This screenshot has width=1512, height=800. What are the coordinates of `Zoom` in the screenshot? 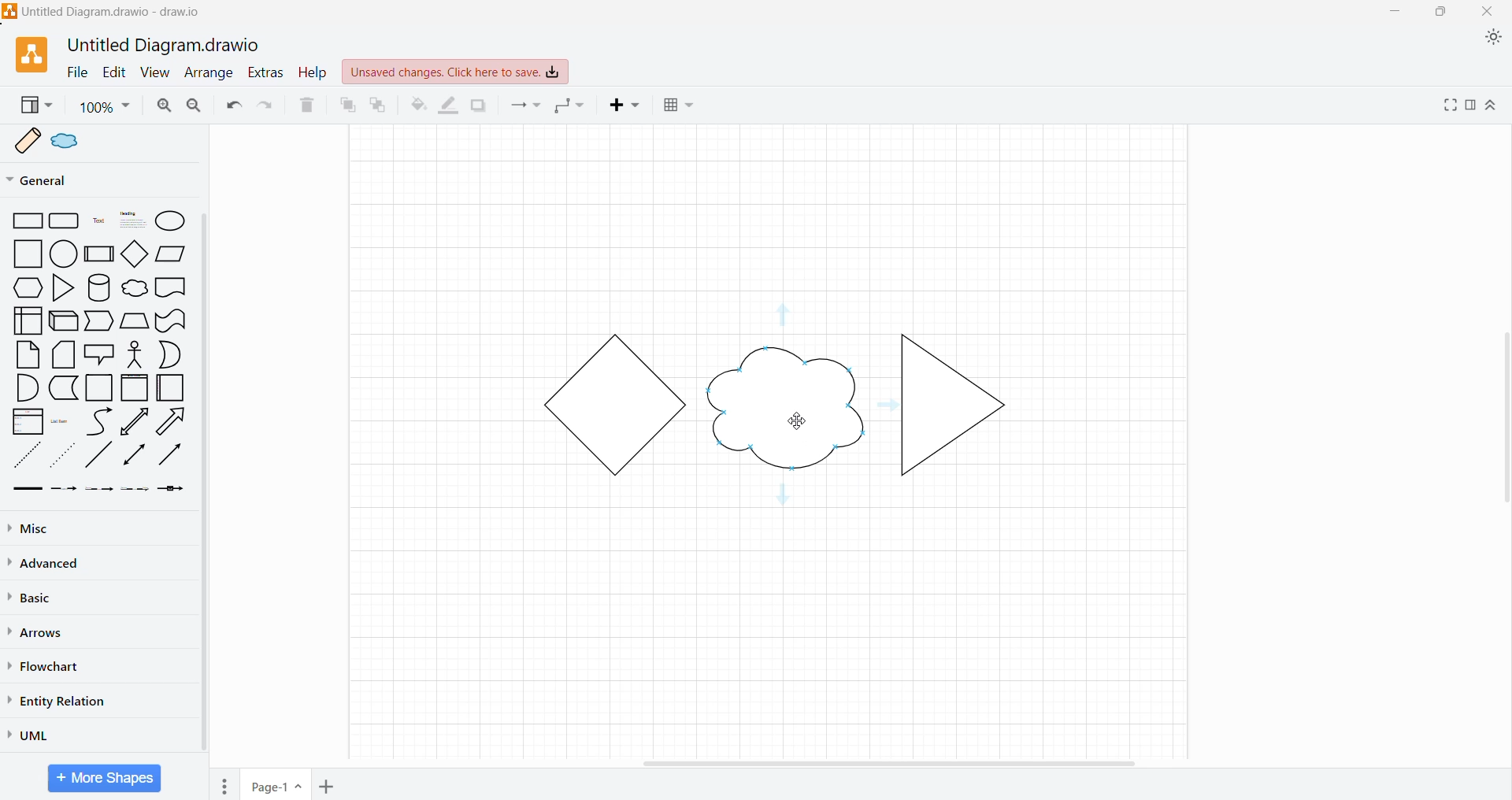 It's located at (106, 107).